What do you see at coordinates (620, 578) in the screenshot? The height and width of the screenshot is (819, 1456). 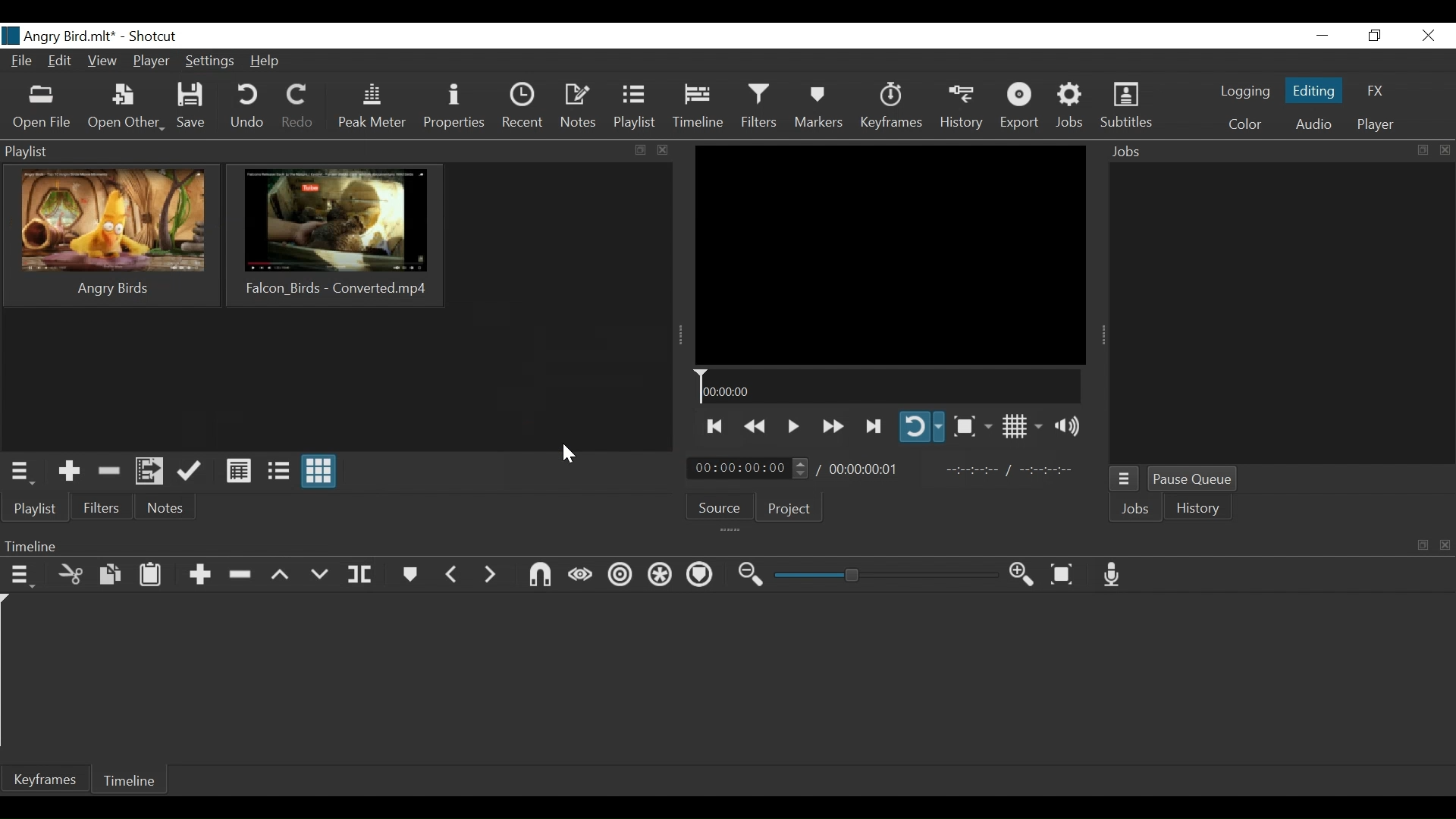 I see `Ripple ` at bounding box center [620, 578].